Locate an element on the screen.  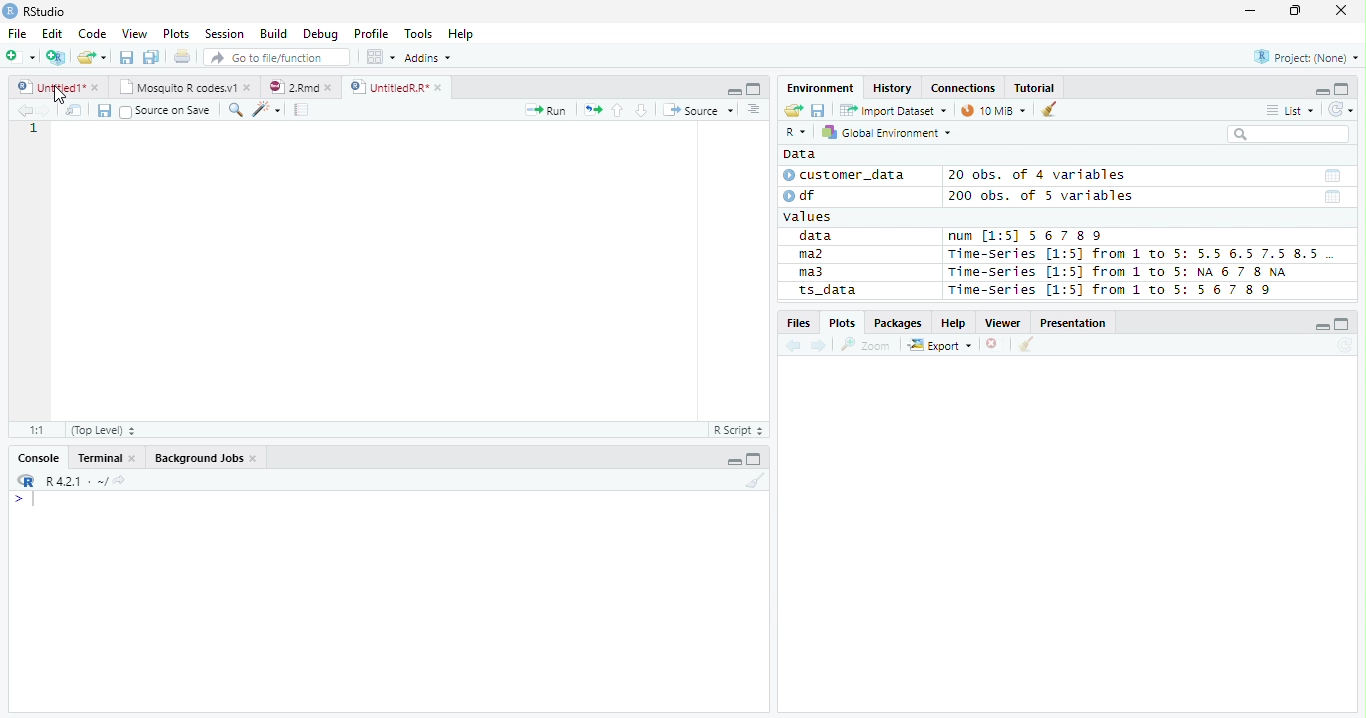
ma3 is located at coordinates (816, 272).